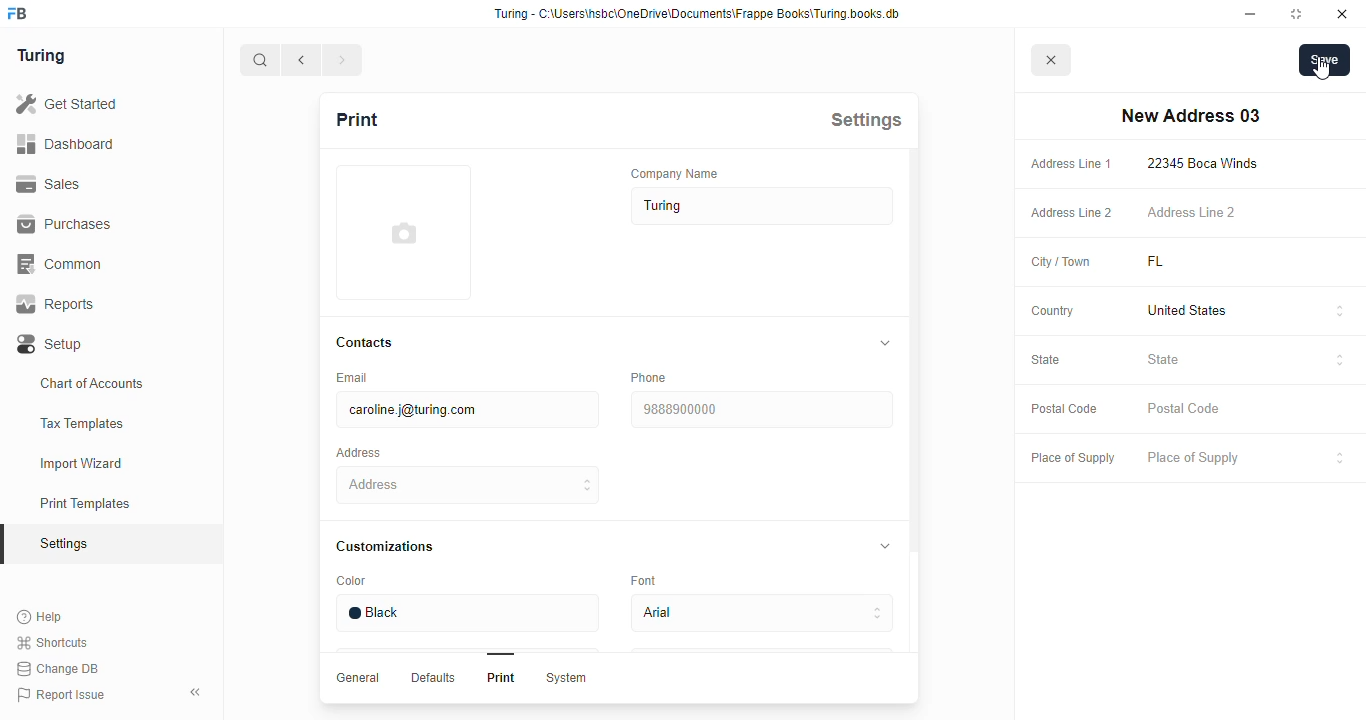  Describe the element at coordinates (61, 695) in the screenshot. I see `report issue` at that location.